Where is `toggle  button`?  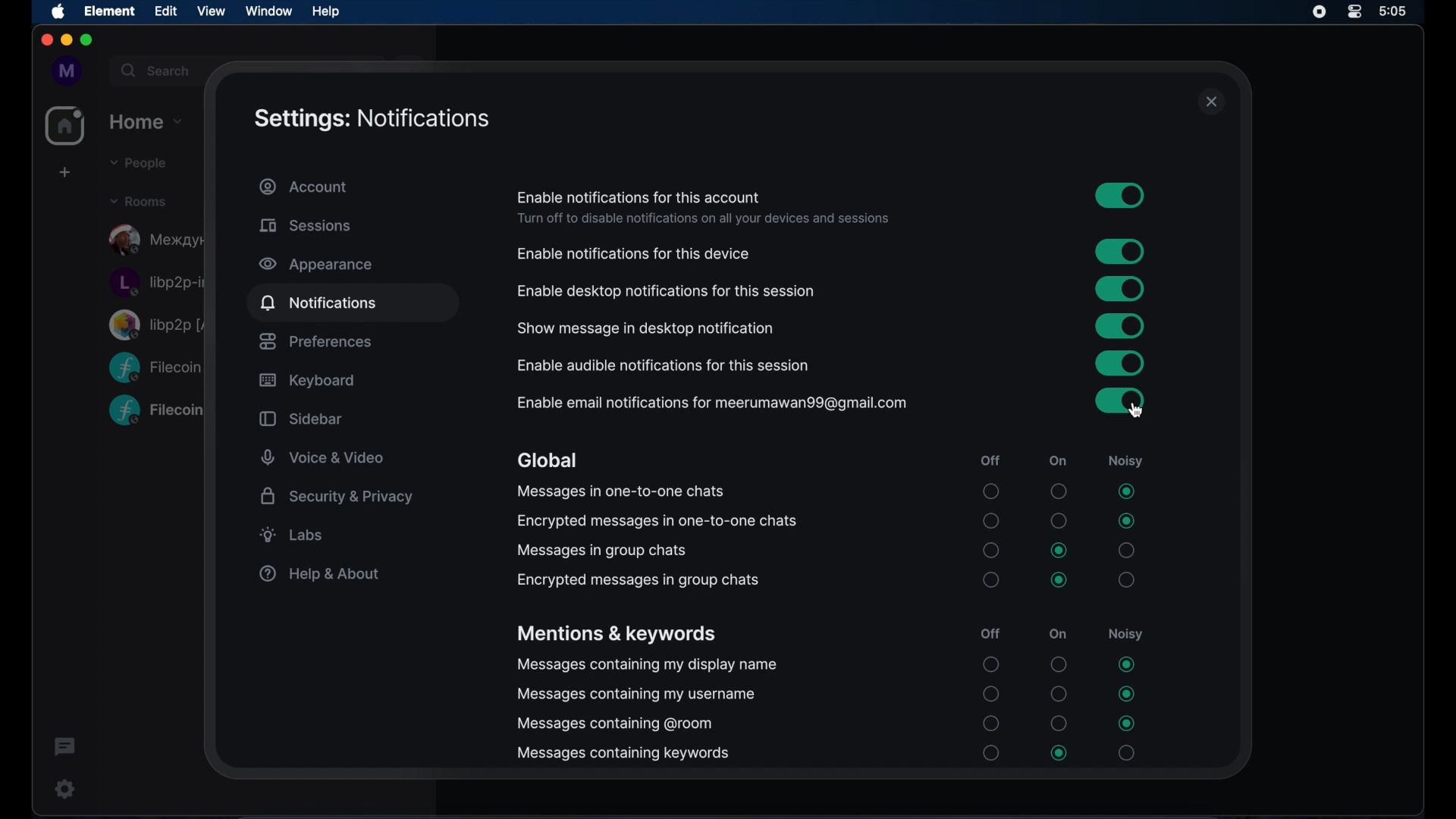
toggle  button is located at coordinates (1119, 325).